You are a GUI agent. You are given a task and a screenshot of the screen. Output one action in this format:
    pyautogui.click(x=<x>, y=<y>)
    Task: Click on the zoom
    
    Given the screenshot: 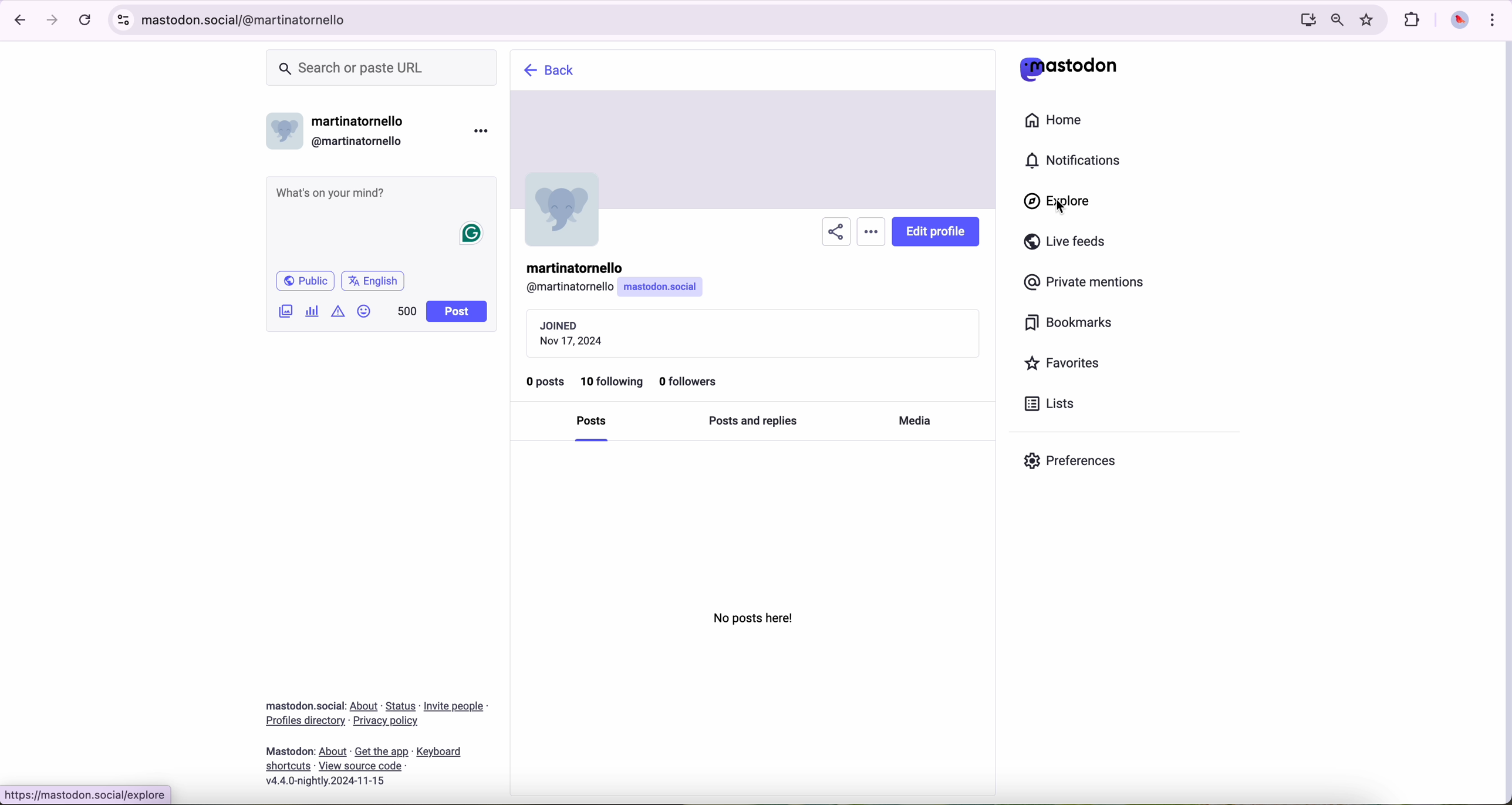 What is the action you would take?
    pyautogui.click(x=1337, y=21)
    